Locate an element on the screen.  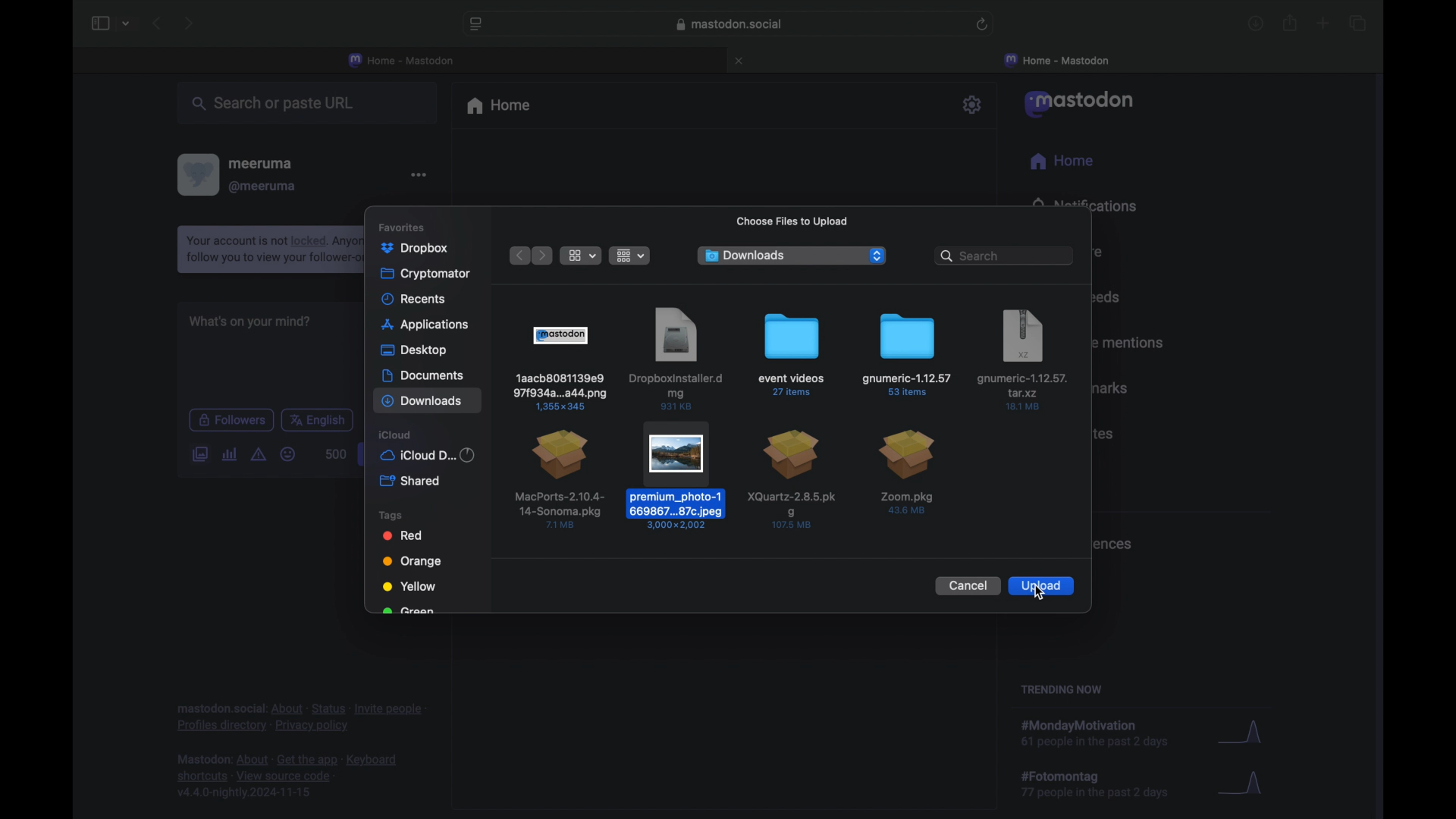
website  settings is located at coordinates (477, 25).